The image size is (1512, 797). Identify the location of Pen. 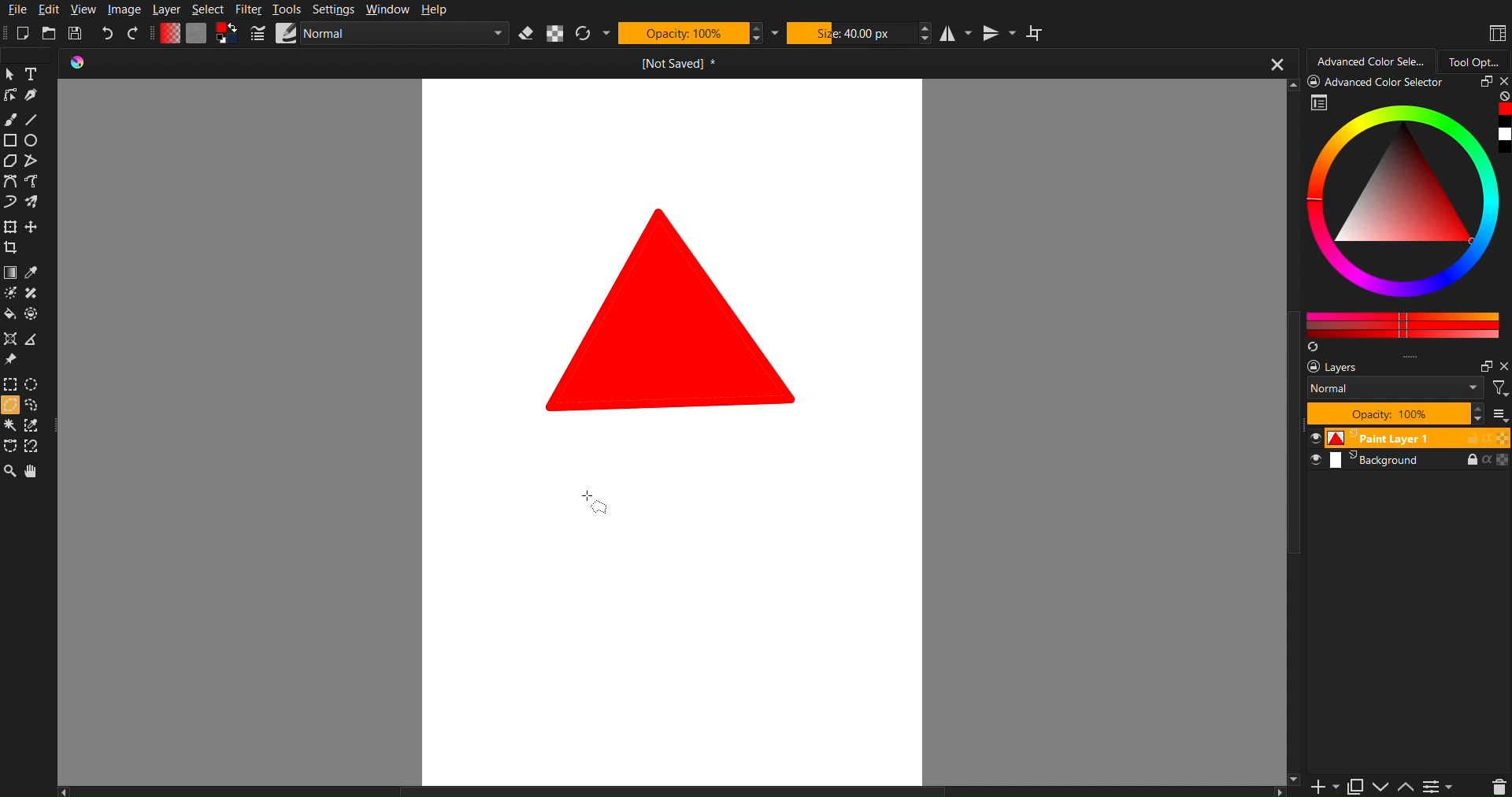
(32, 97).